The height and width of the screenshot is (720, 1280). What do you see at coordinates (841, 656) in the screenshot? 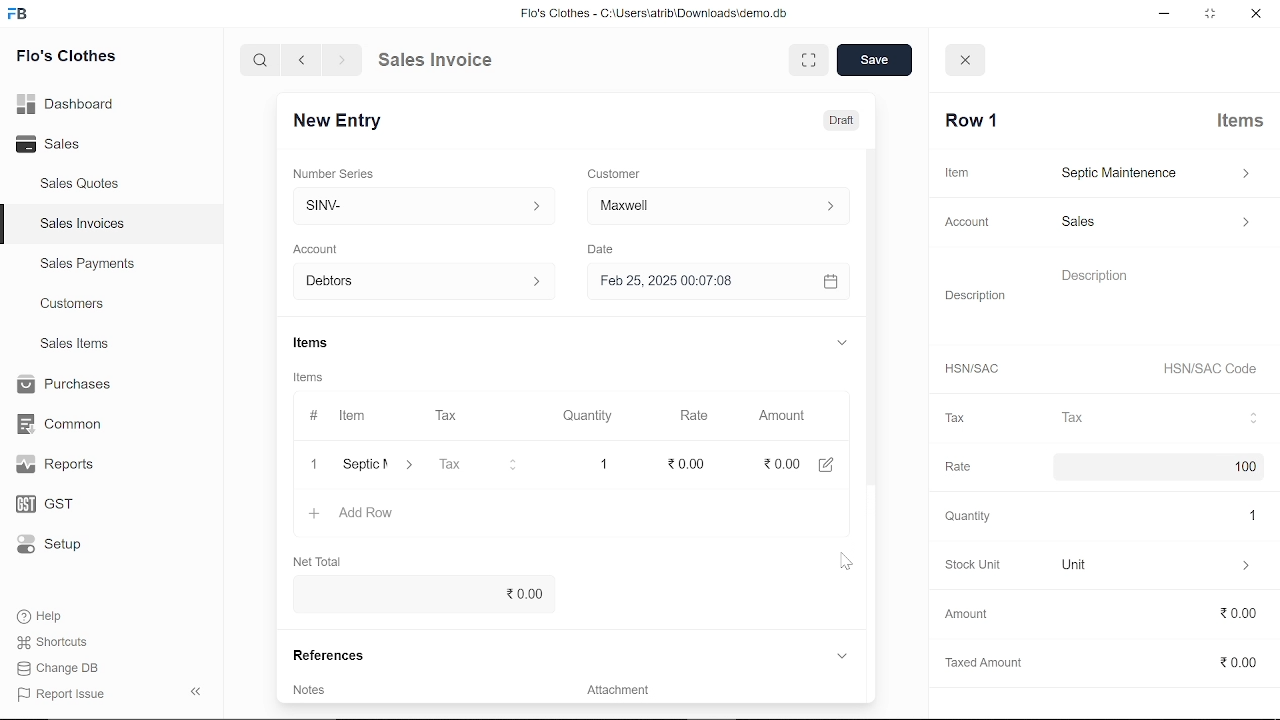
I see `expand reference` at bounding box center [841, 656].